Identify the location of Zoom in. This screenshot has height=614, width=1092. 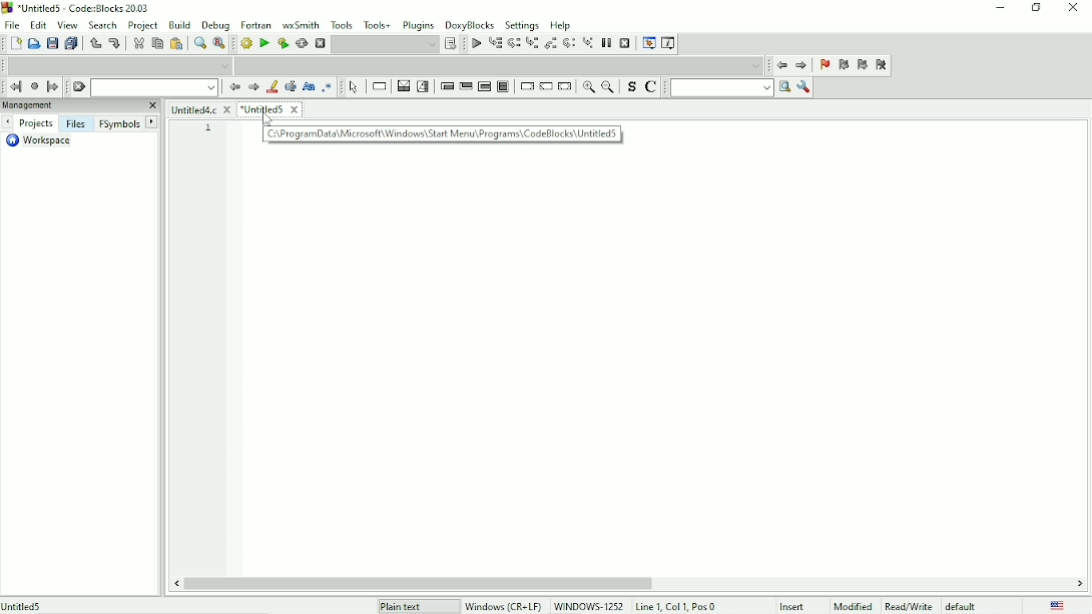
(588, 86).